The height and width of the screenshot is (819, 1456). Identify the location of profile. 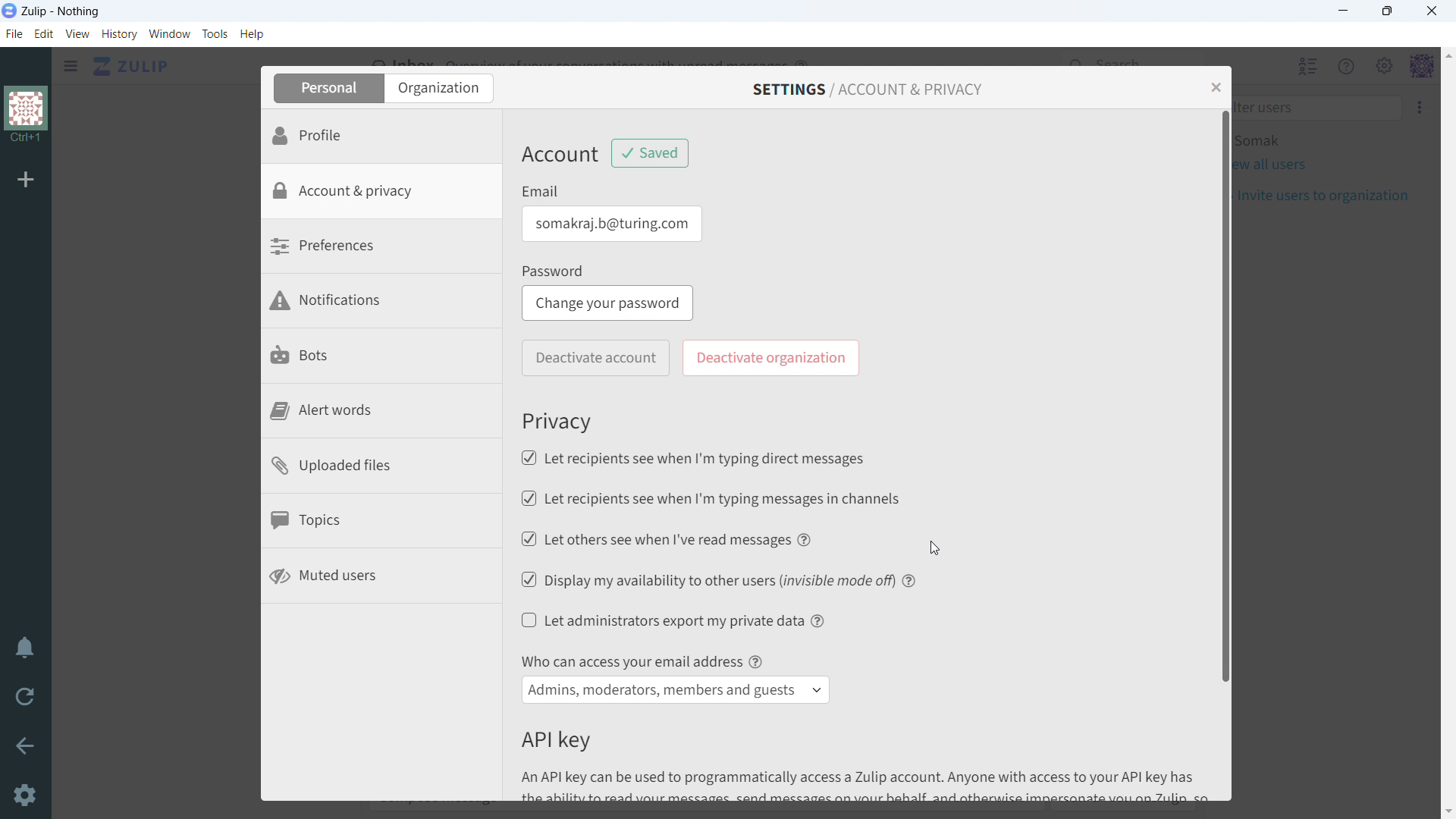
(380, 134).